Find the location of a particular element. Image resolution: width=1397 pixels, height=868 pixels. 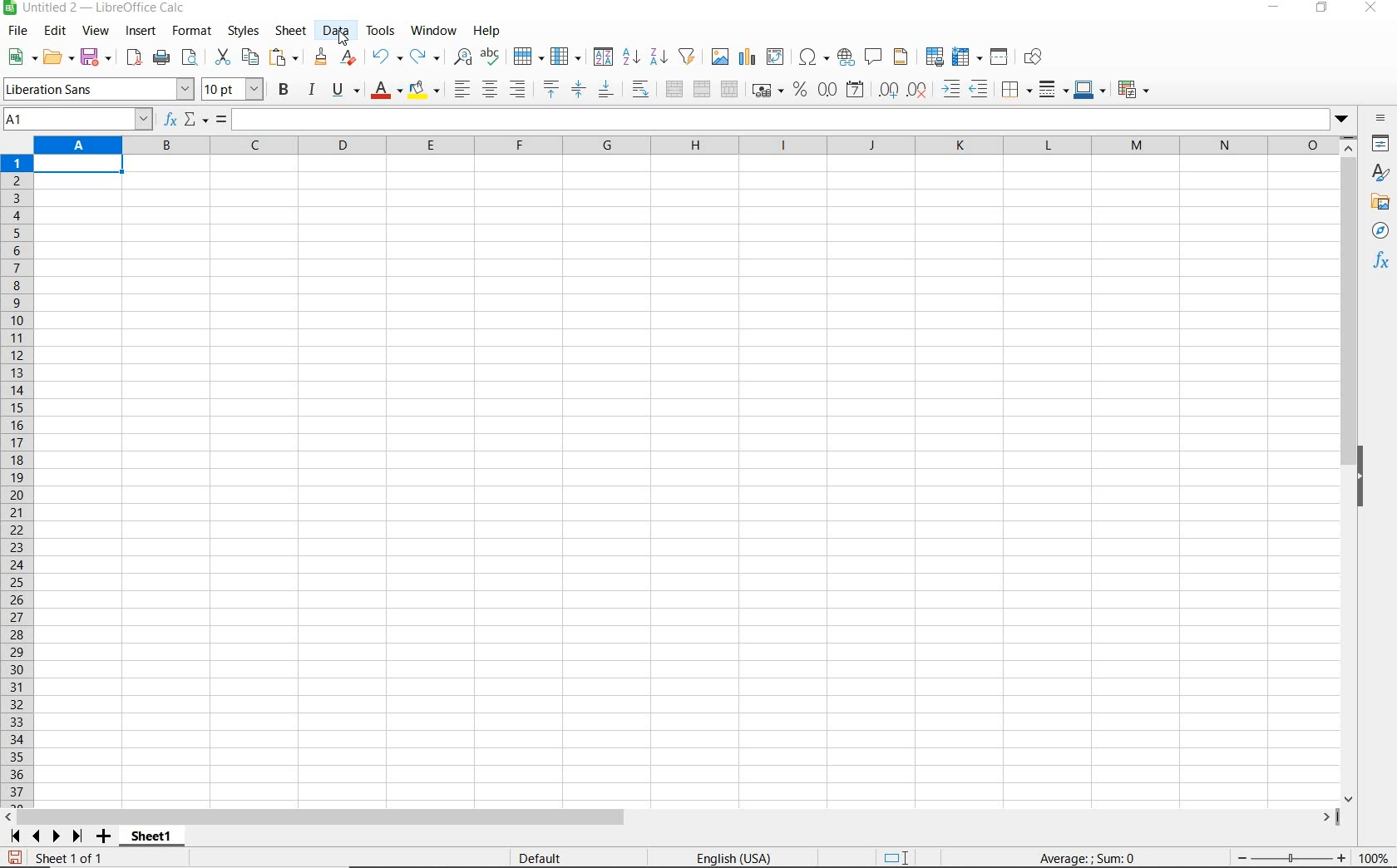

delete decimal place is located at coordinates (918, 89).